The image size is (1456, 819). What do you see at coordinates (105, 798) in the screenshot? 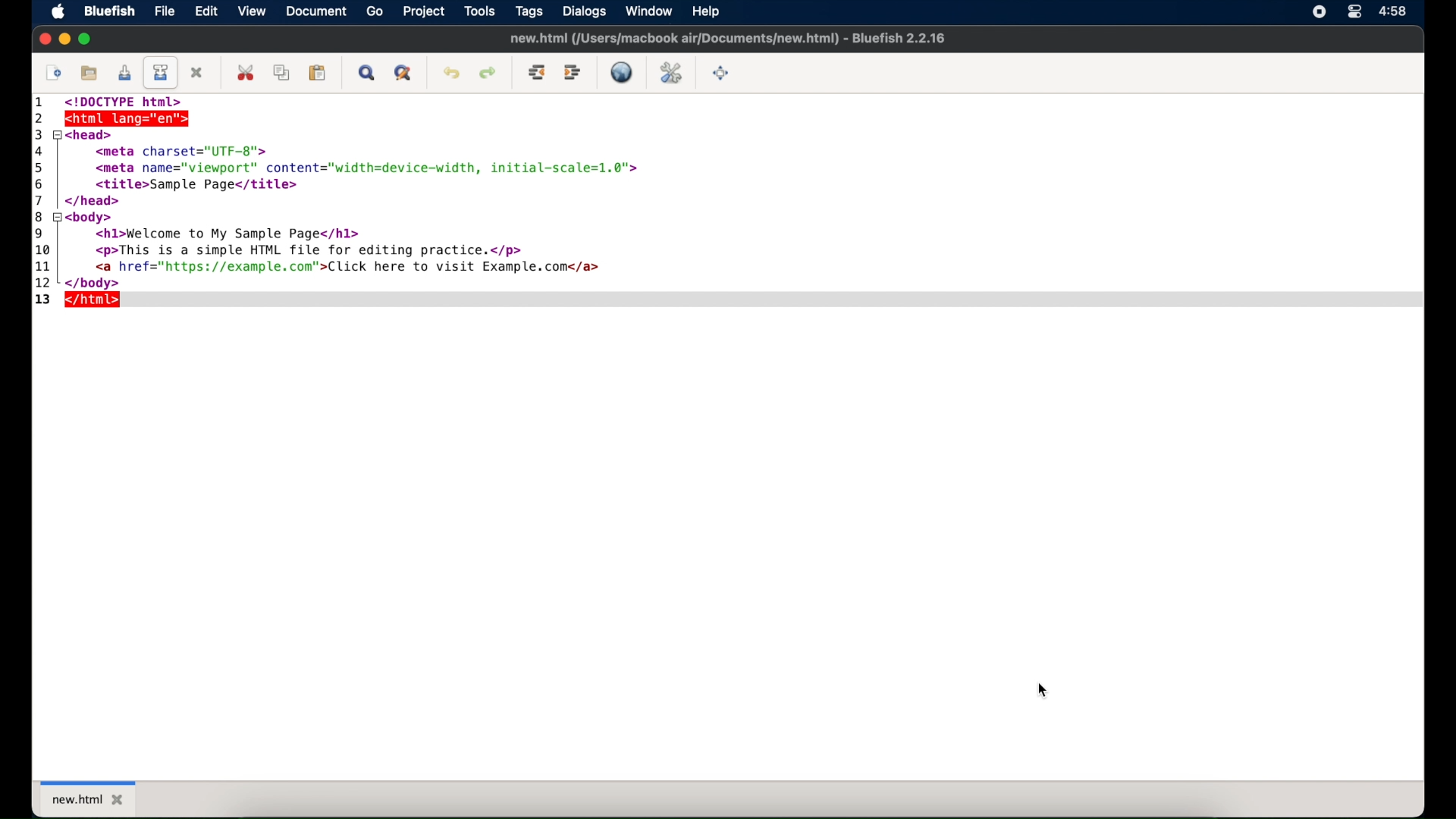
I see `untitled 0.html` at bounding box center [105, 798].